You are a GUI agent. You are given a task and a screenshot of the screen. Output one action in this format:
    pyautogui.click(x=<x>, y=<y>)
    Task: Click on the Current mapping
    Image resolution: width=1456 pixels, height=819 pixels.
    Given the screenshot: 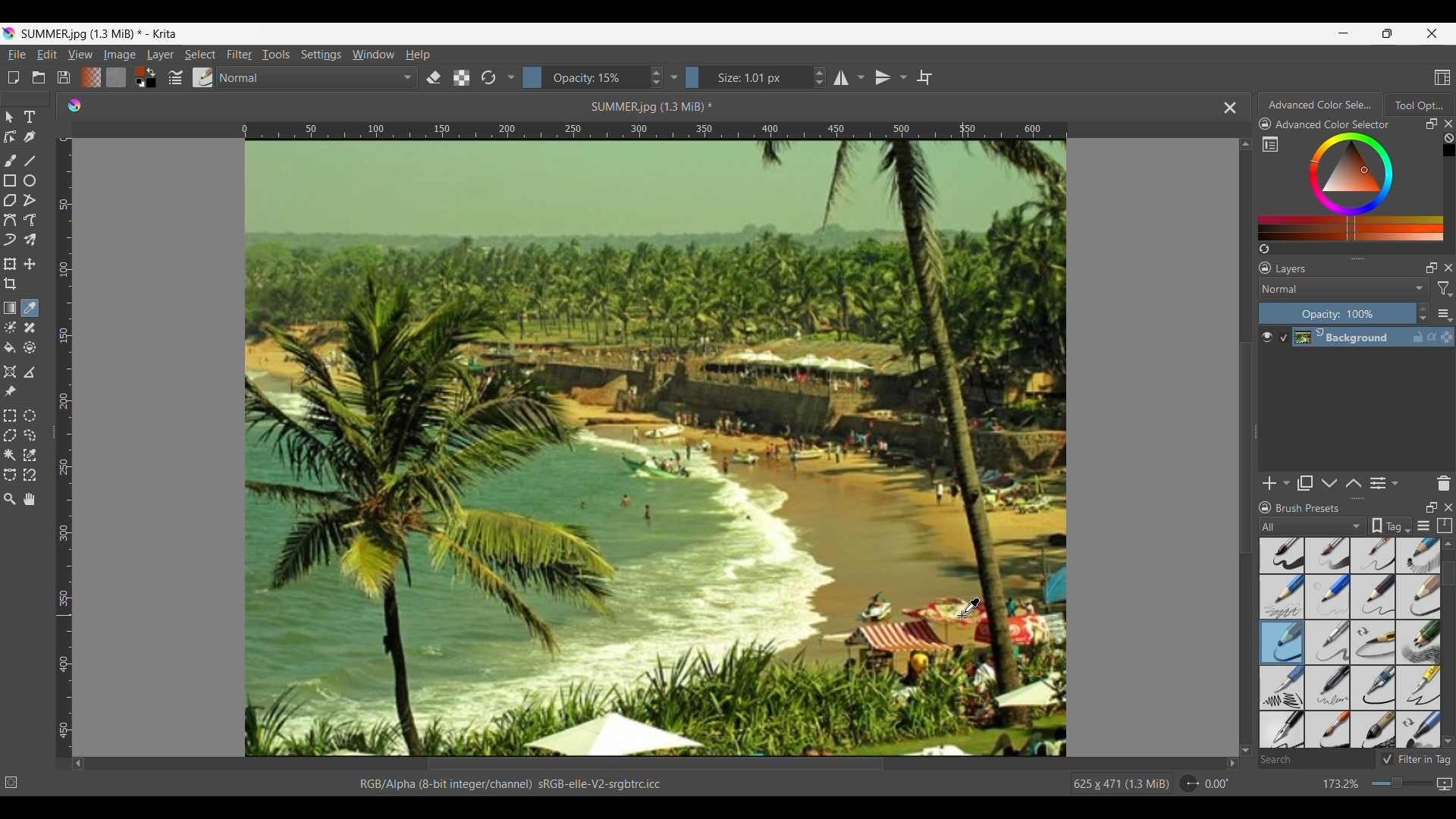 What is the action you would take?
    pyautogui.click(x=1445, y=784)
    